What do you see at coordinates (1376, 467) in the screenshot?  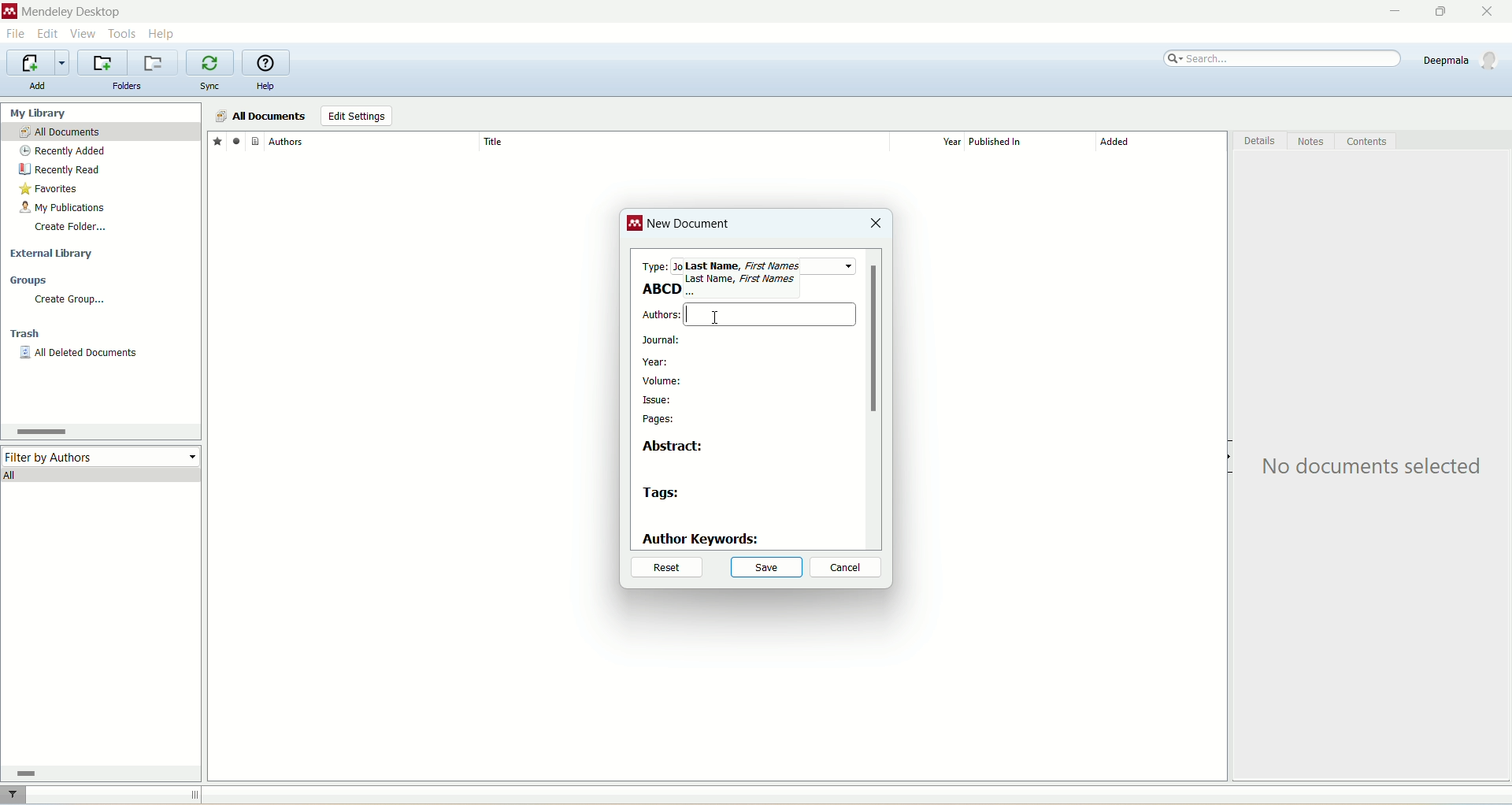 I see `text` at bounding box center [1376, 467].